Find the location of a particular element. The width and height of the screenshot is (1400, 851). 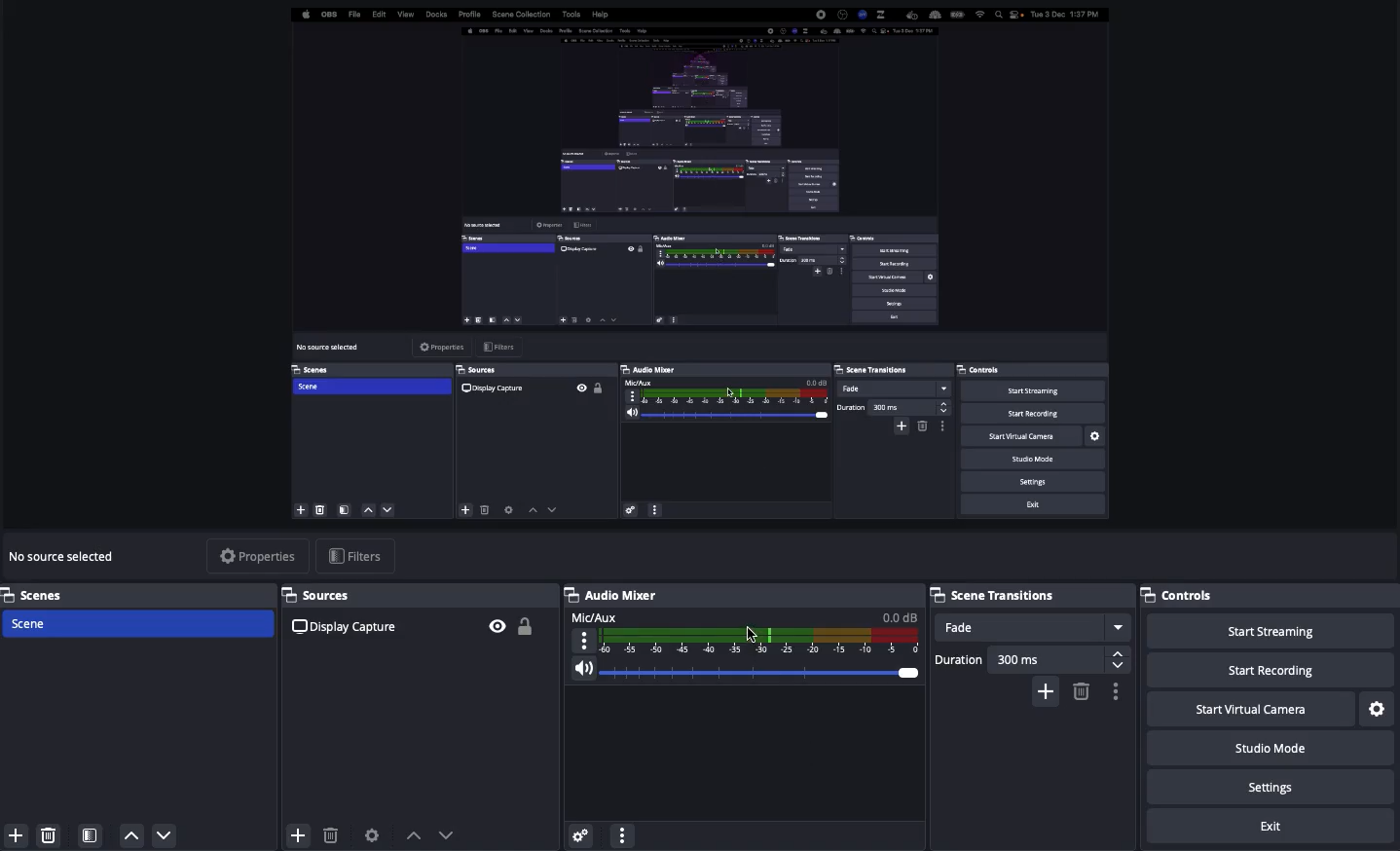

Start streaming is located at coordinates (1270, 632).